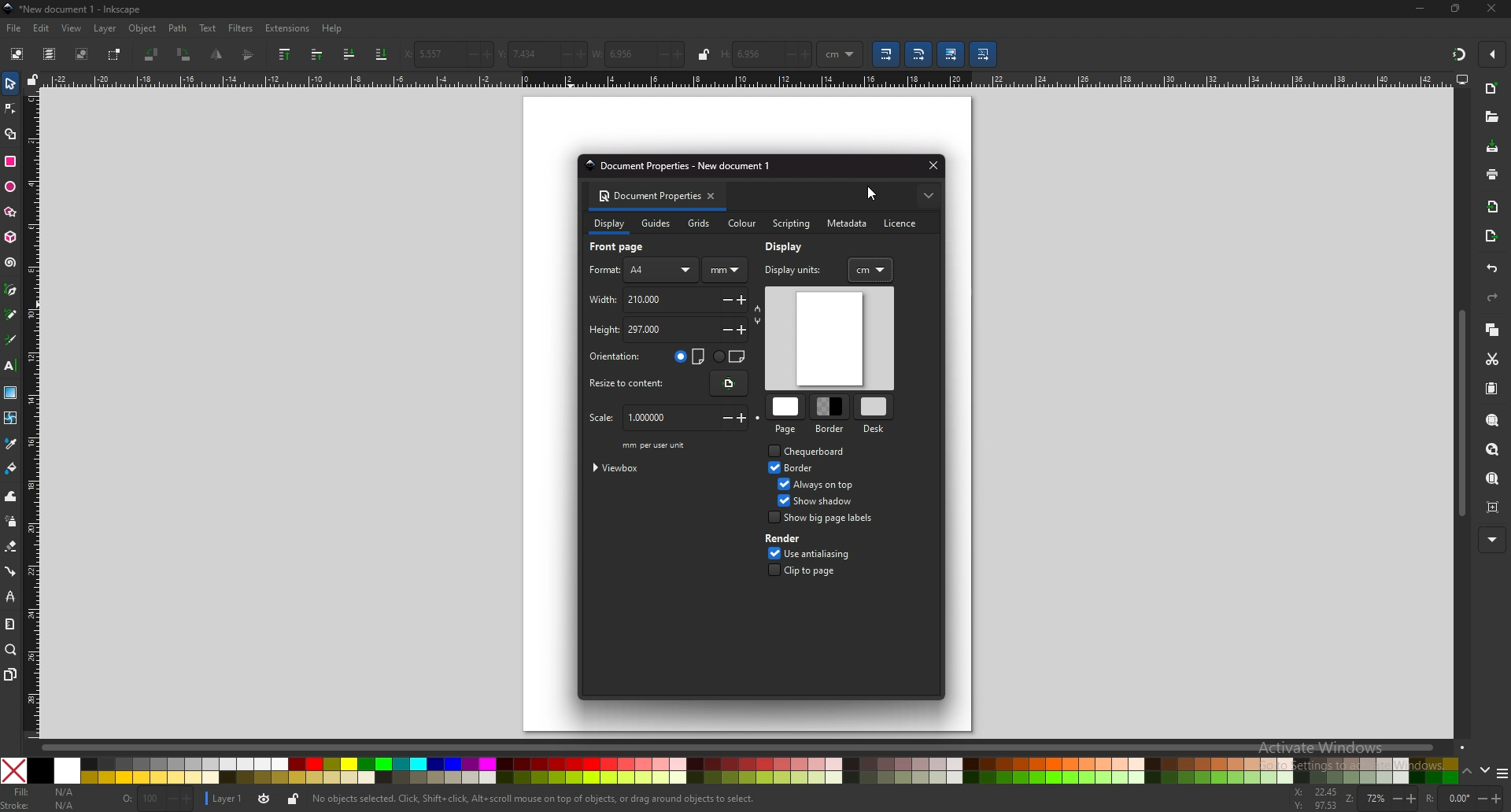 Image resolution: width=1511 pixels, height=812 pixels. Describe the element at coordinates (781, 500) in the screenshot. I see `Checkbox` at that location.